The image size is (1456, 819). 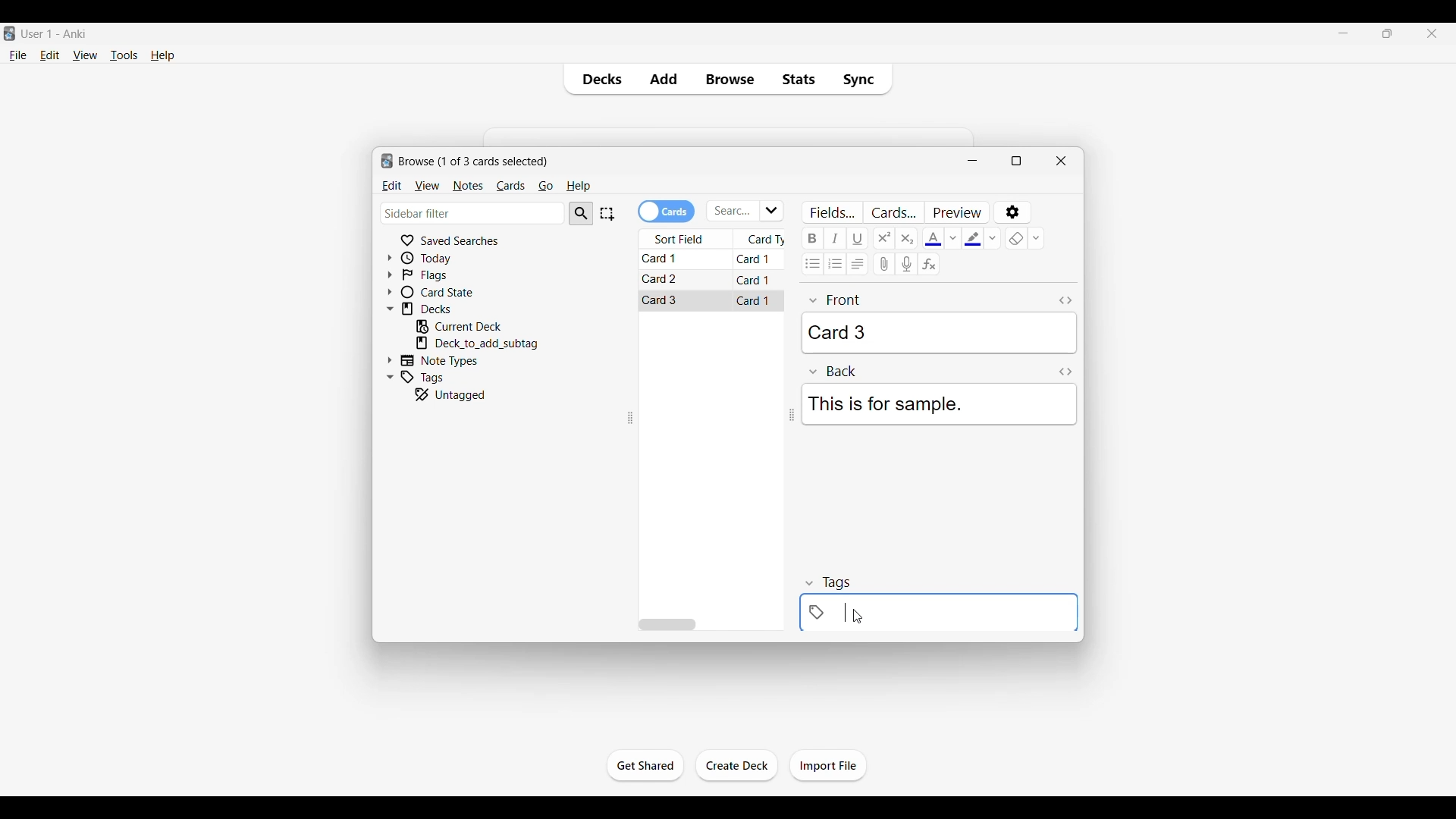 What do you see at coordinates (666, 260) in the screenshot?
I see `Card 1` at bounding box center [666, 260].